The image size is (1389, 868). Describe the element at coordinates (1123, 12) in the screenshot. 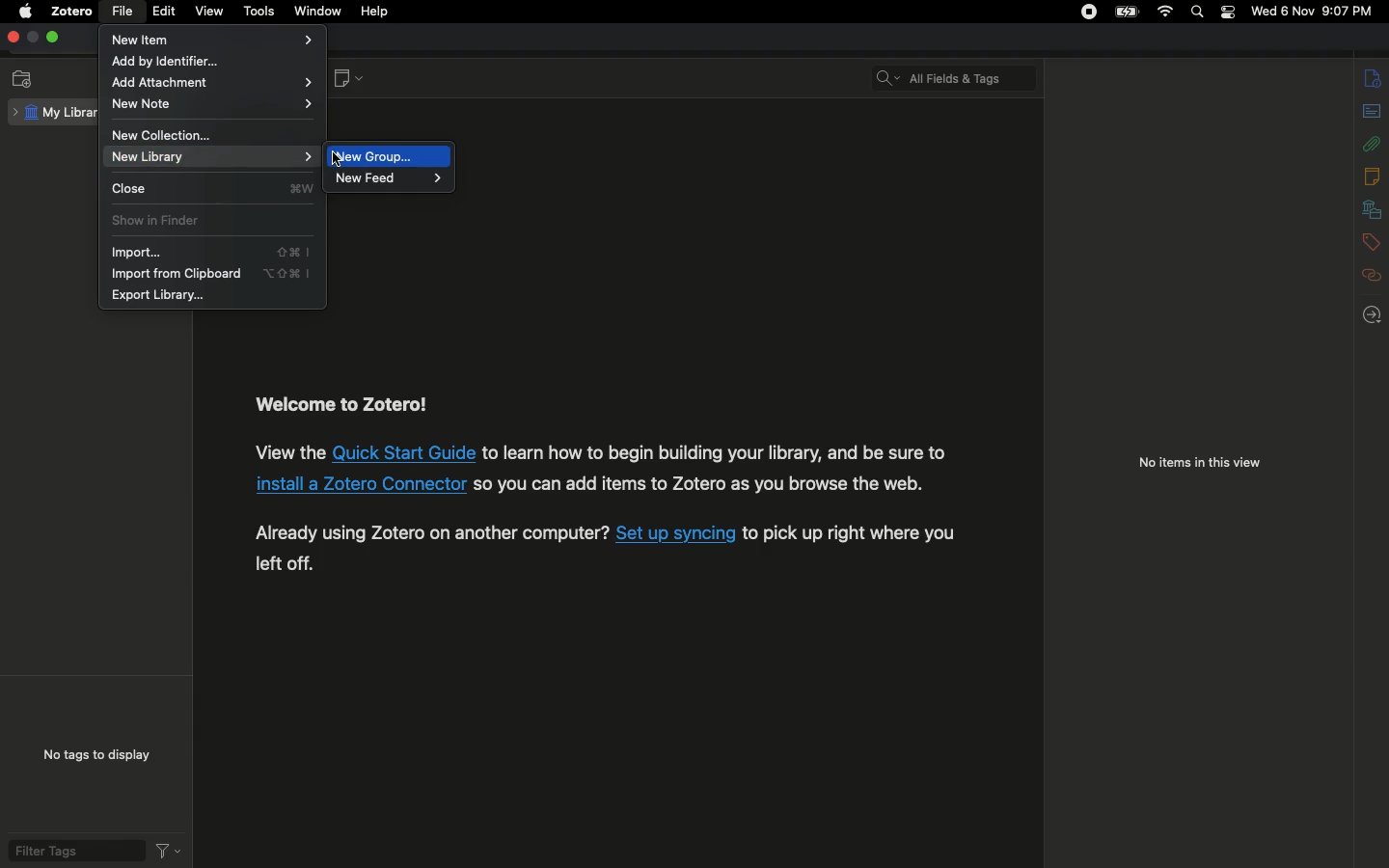

I see `Charge` at that location.